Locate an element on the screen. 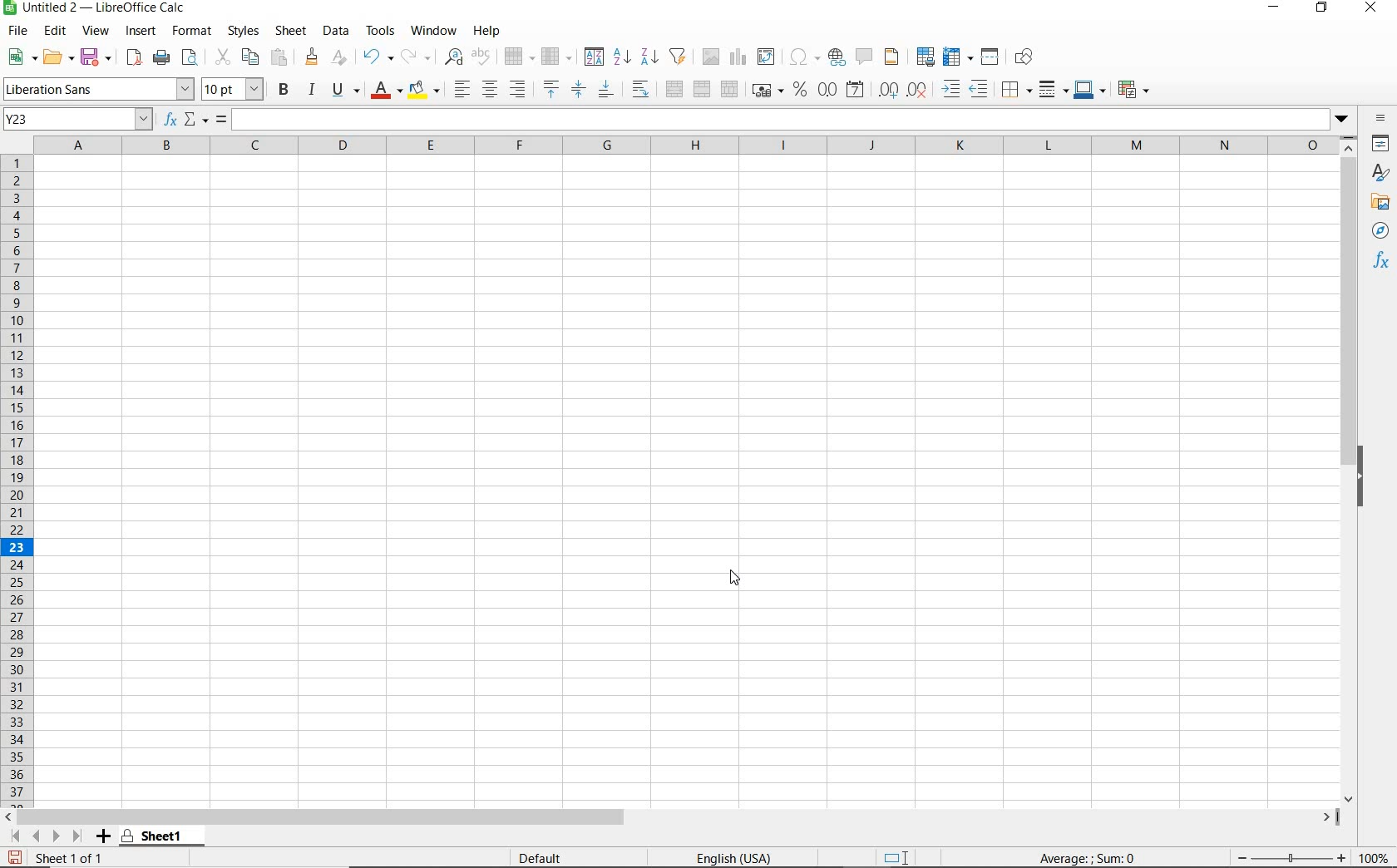 The height and width of the screenshot is (868, 1397).  is located at coordinates (481, 57).